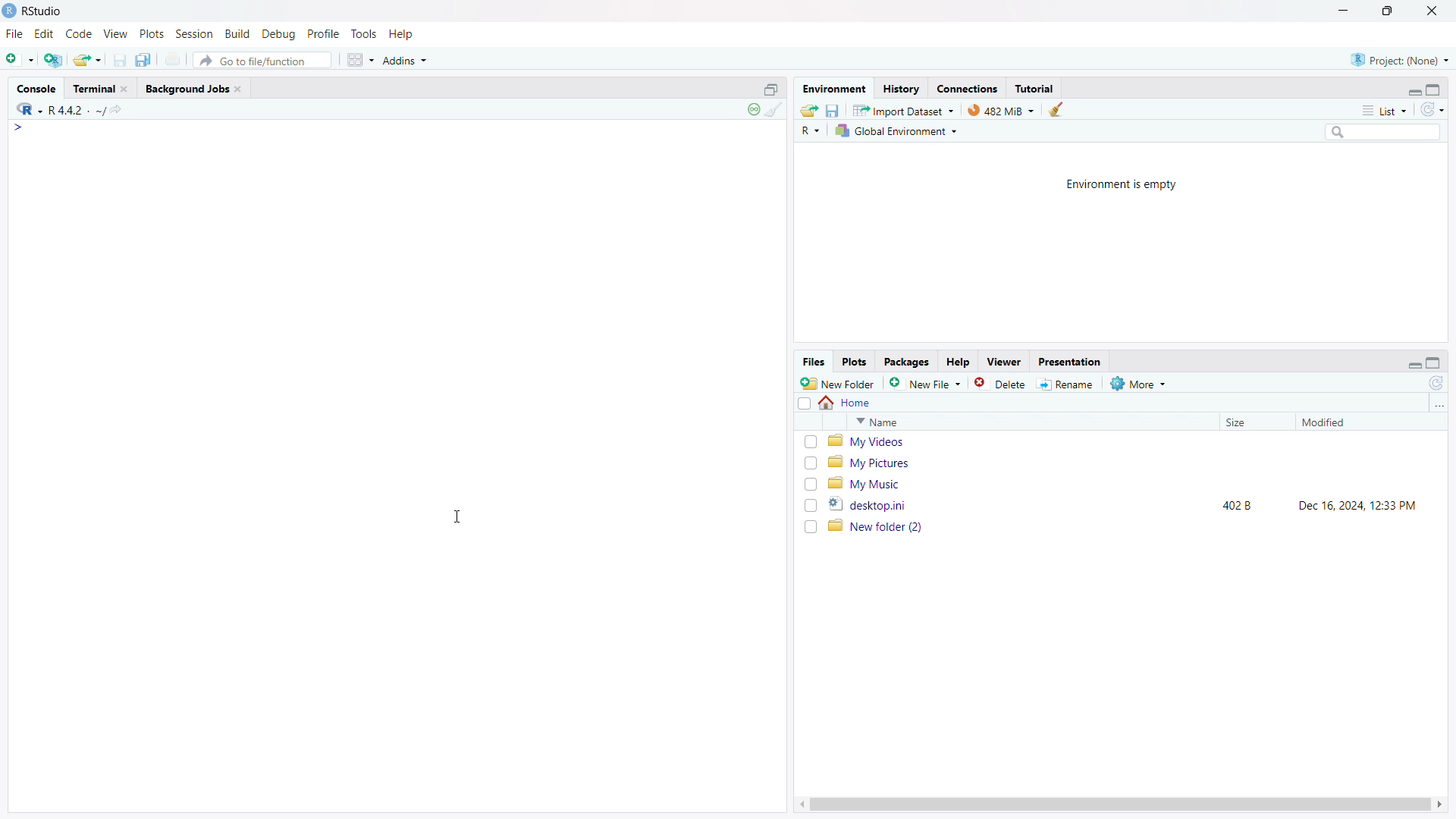  I want to click on select entry, so click(804, 403).